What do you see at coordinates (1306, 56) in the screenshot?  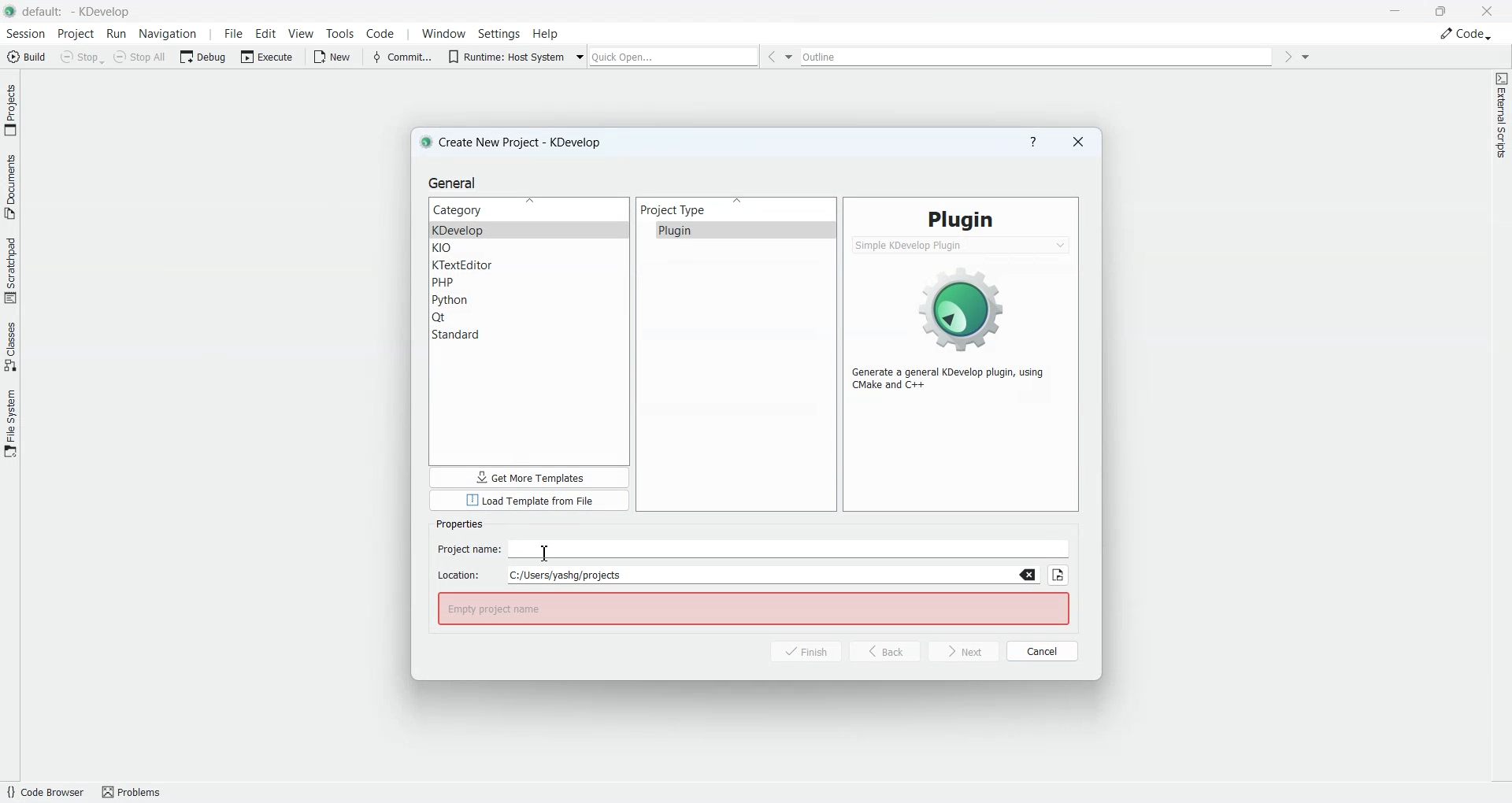 I see `Drop down box` at bounding box center [1306, 56].